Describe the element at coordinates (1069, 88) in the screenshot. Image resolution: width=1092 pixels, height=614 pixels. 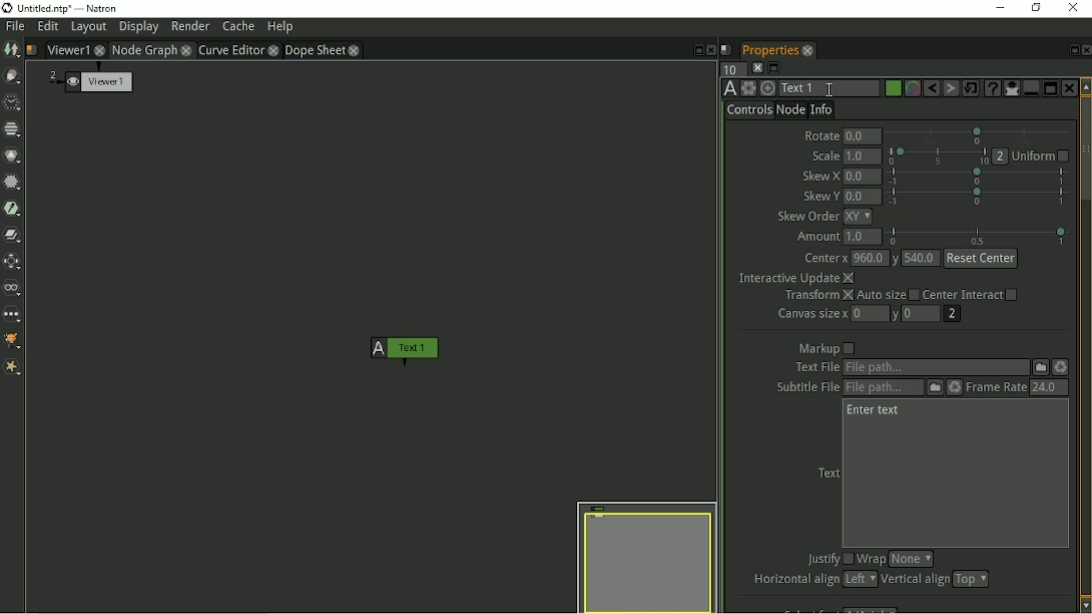
I see `Close` at that location.